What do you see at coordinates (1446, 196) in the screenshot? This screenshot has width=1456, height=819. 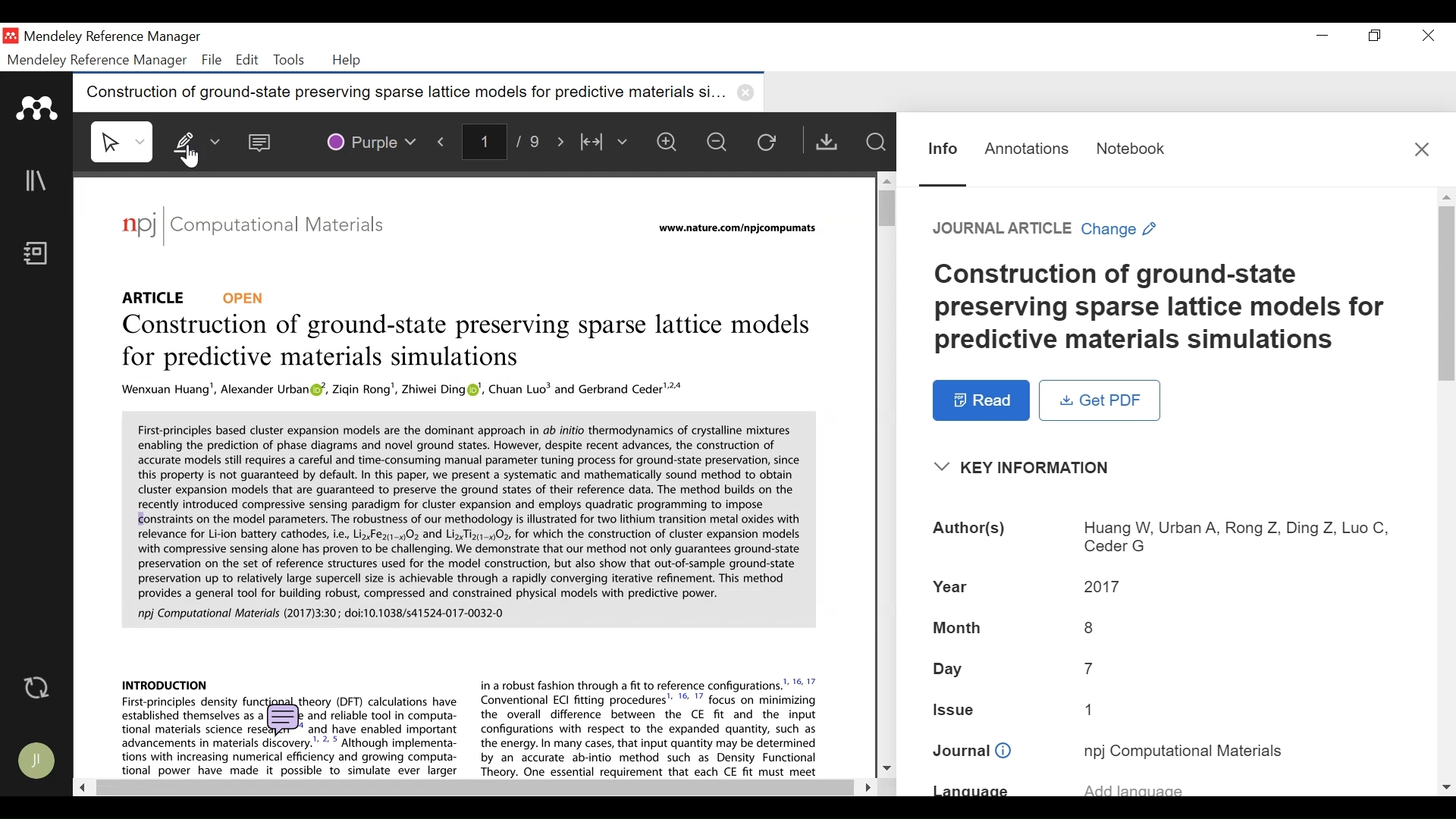 I see `Scroll up` at bounding box center [1446, 196].